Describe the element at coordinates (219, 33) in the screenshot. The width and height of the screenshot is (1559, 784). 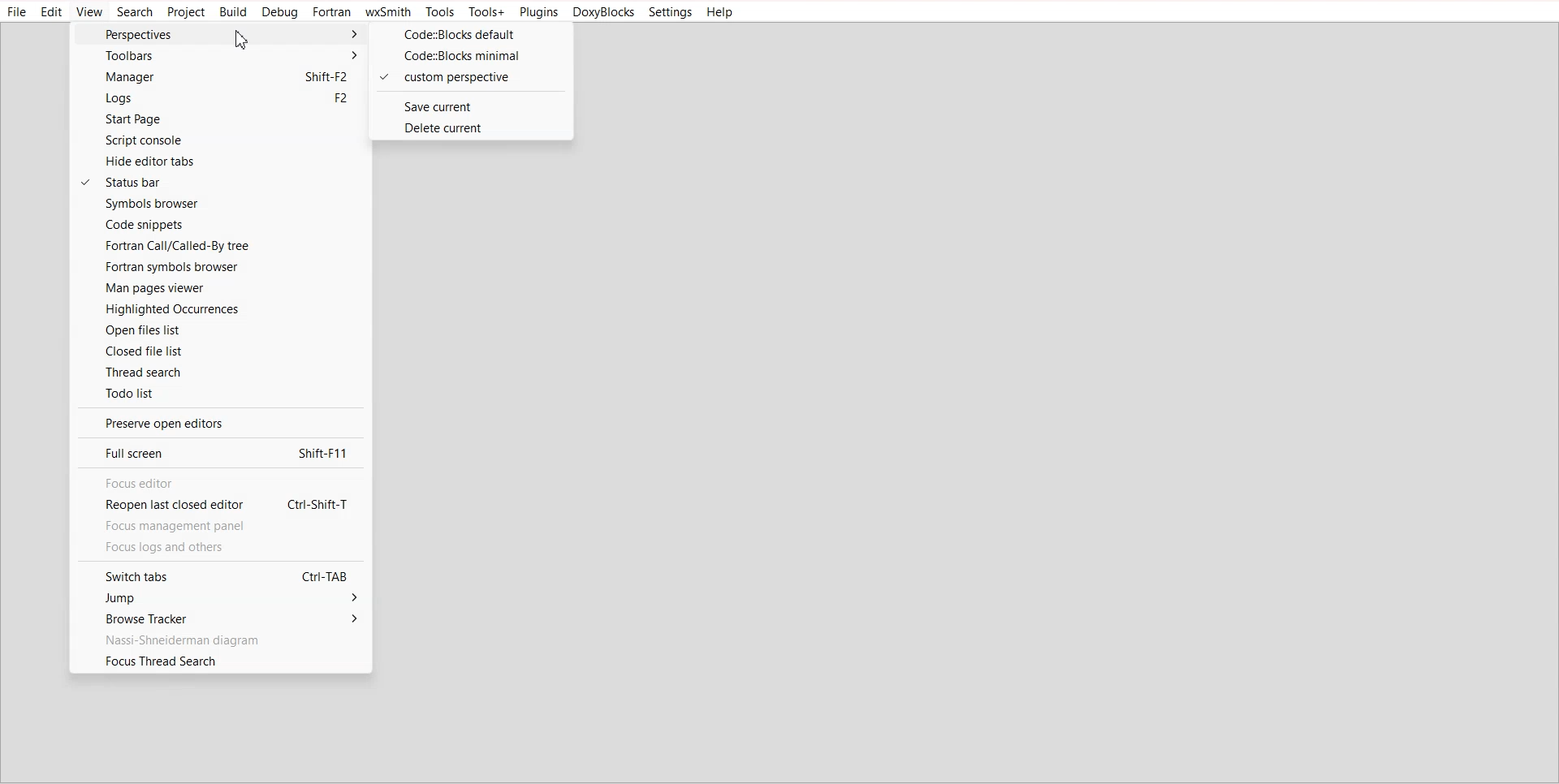
I see `Perspective` at that location.